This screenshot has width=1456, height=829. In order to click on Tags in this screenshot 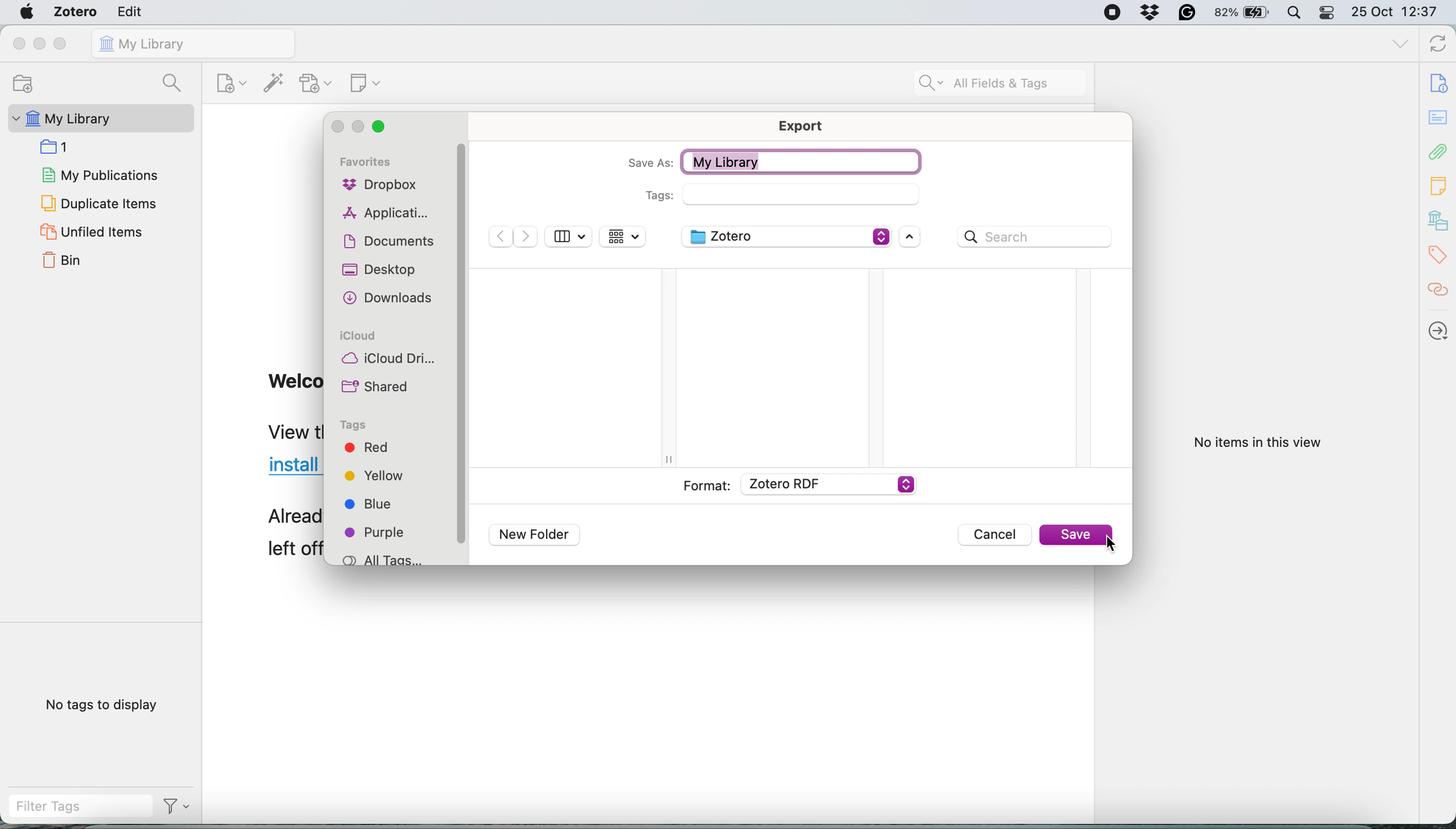, I will do `click(353, 425)`.